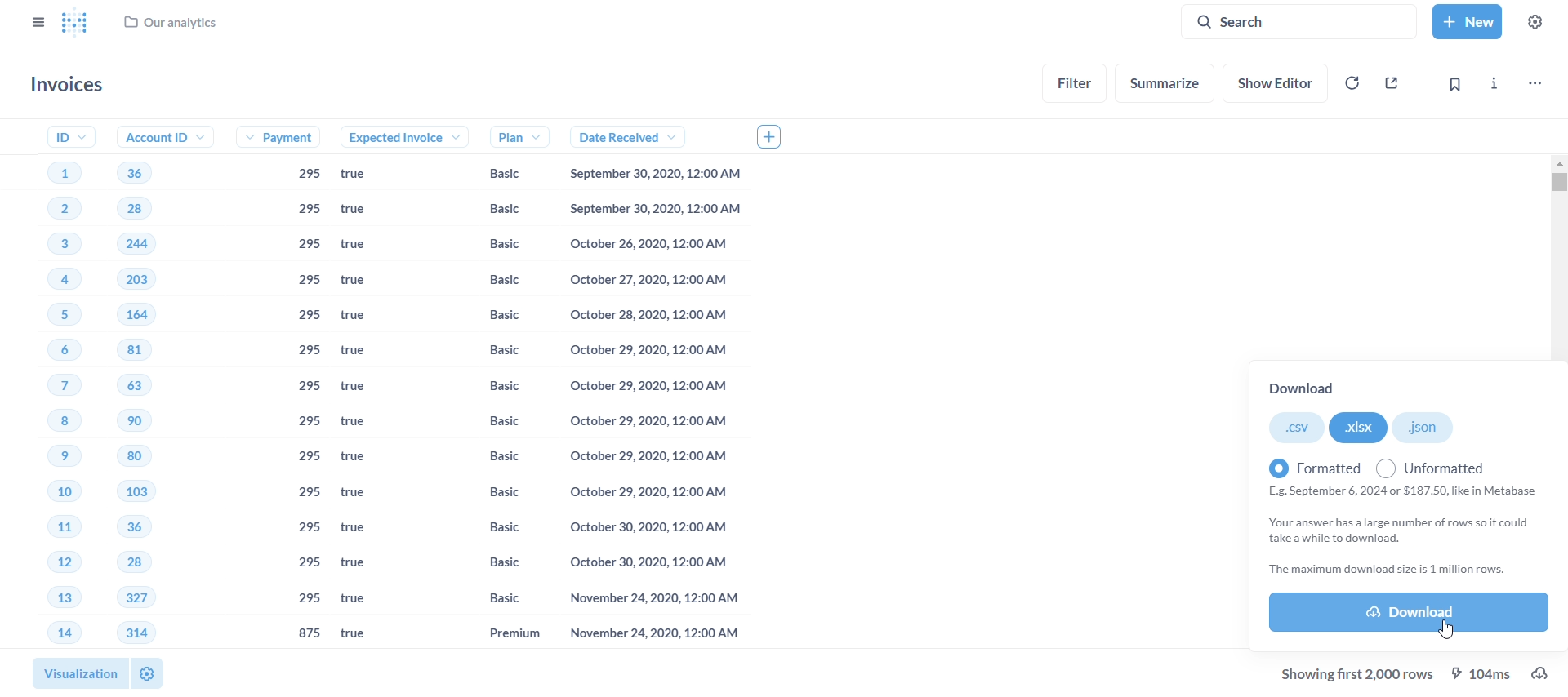 Image resolution: width=1568 pixels, height=697 pixels. I want to click on true, so click(361, 245).